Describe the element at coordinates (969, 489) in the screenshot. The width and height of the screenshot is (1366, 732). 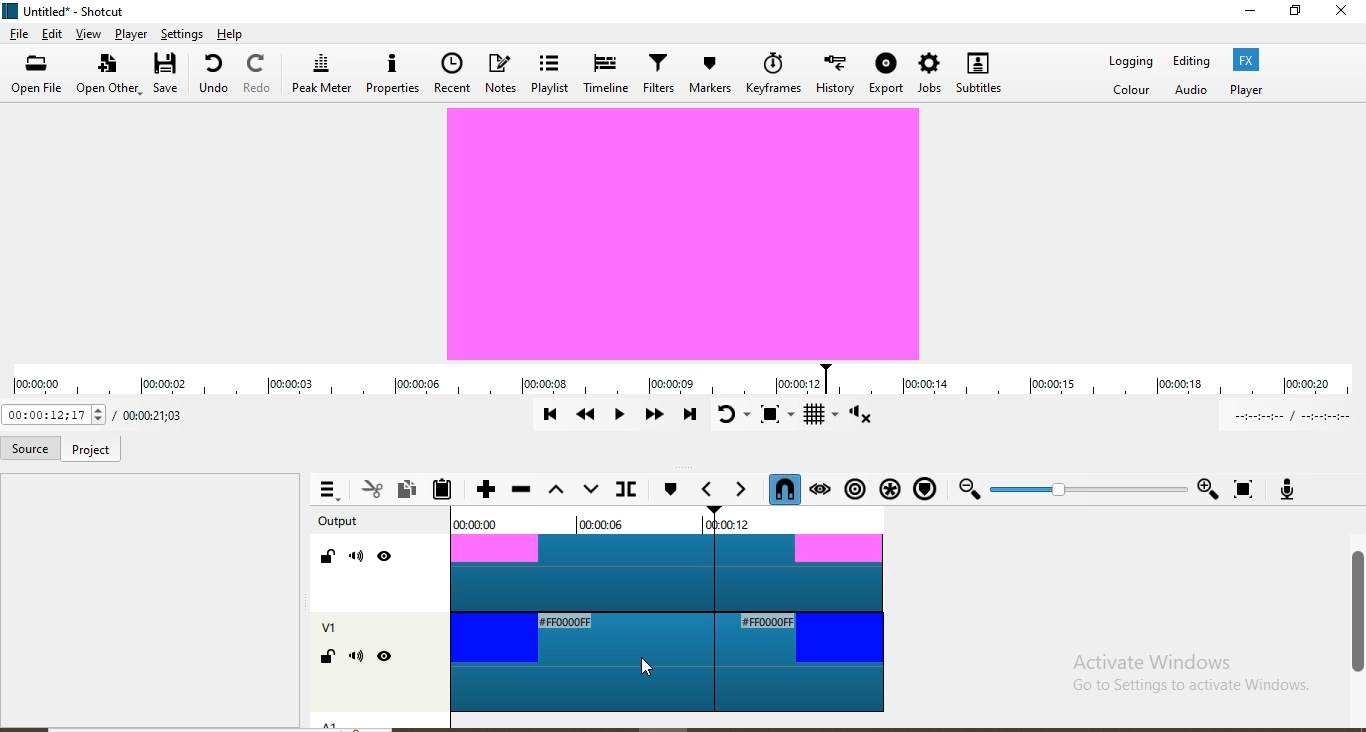
I see `Zoom out` at that location.